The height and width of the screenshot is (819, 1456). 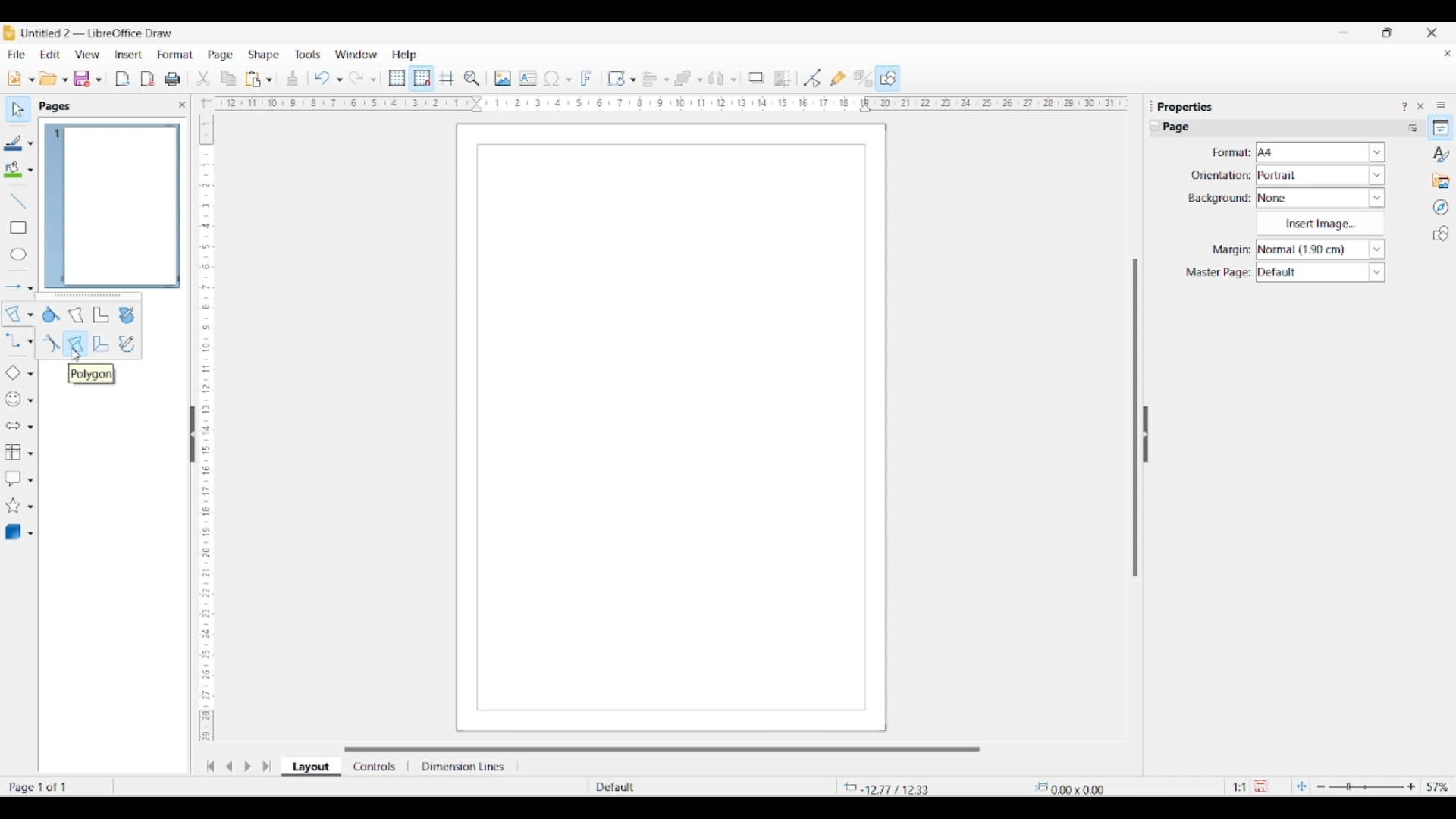 I want to click on Show interface in smaller tab, so click(x=1386, y=33).